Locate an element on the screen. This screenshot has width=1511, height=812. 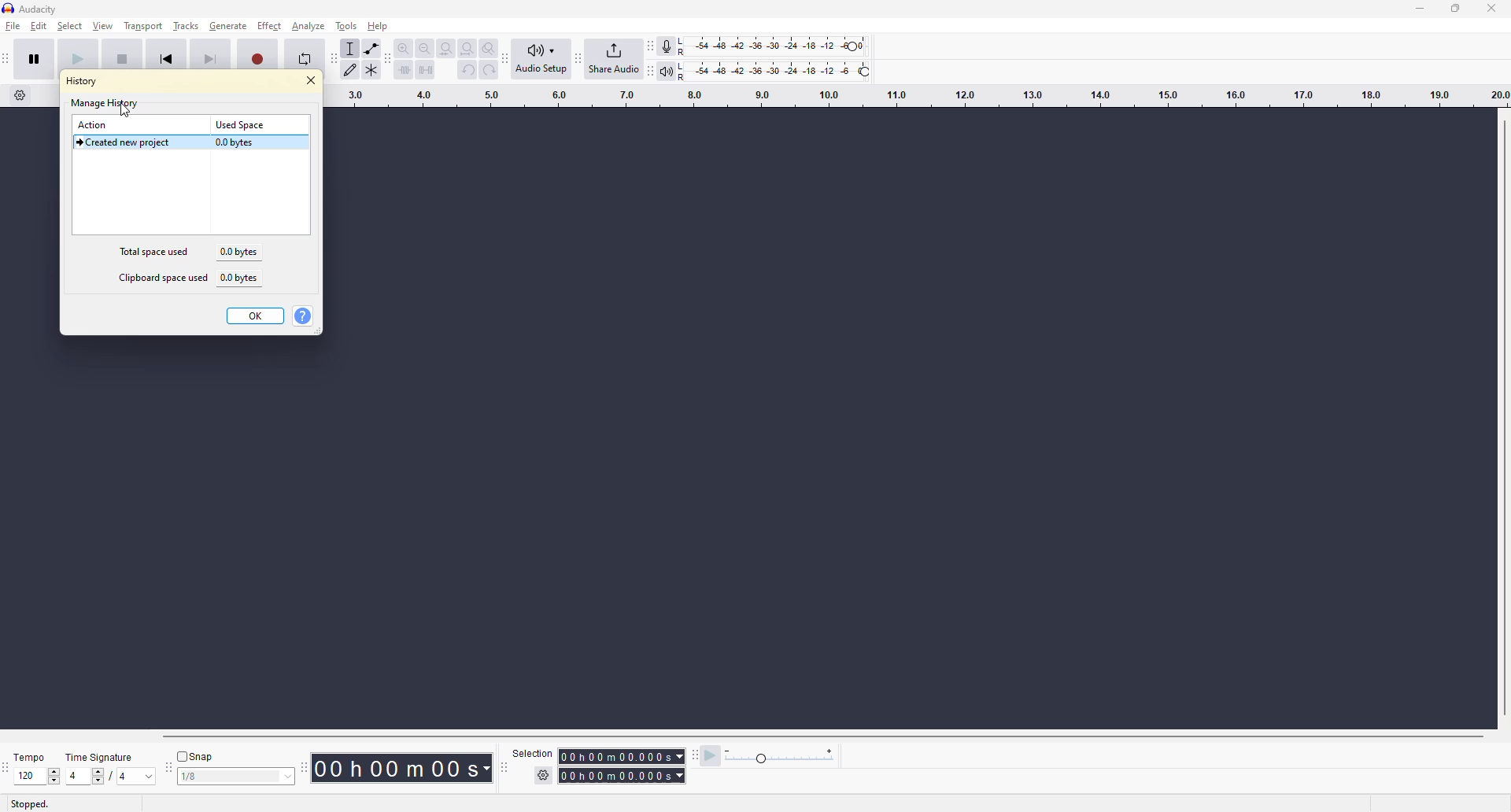
previous is located at coordinates (168, 58).